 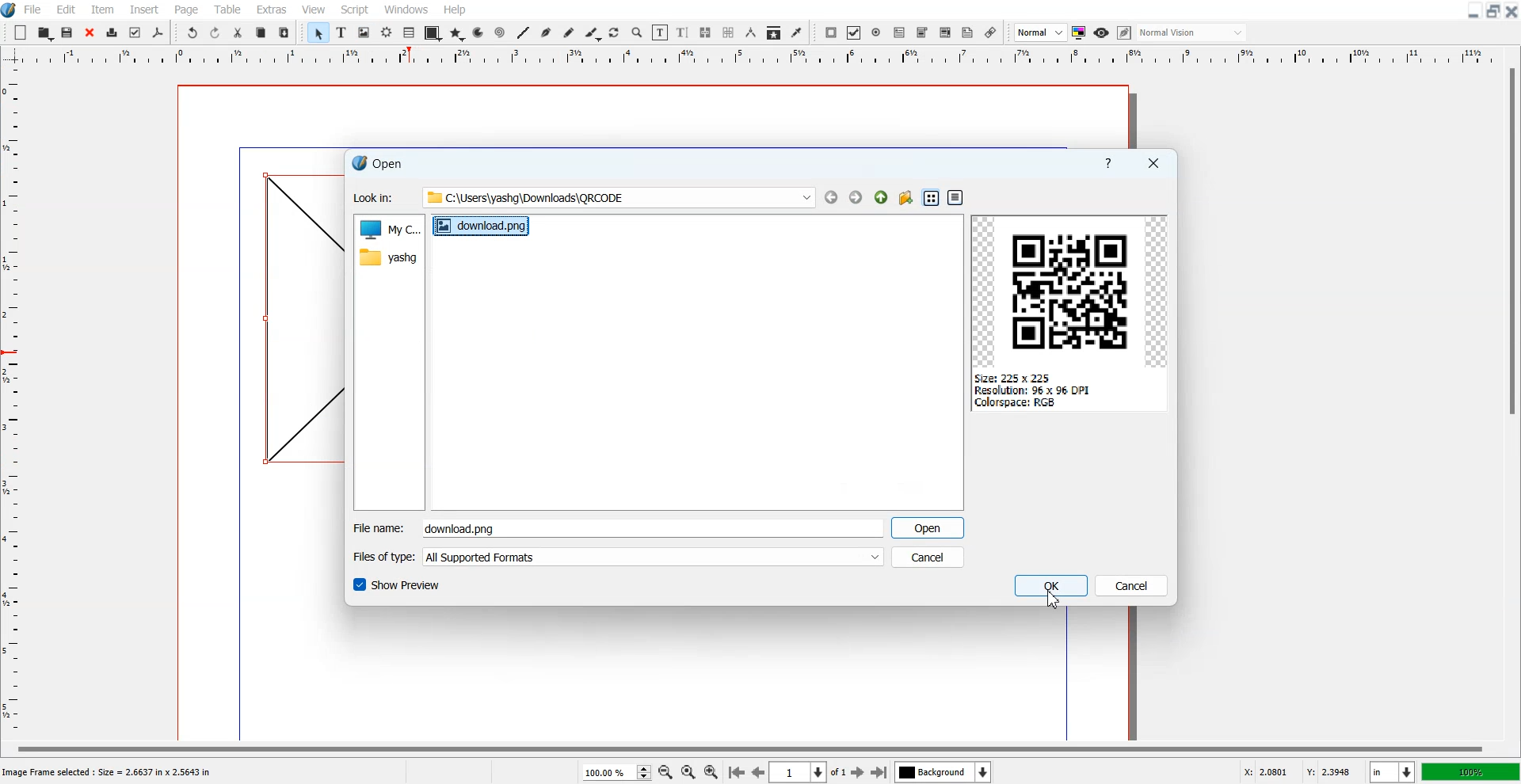 I want to click on Render frame, so click(x=387, y=32).